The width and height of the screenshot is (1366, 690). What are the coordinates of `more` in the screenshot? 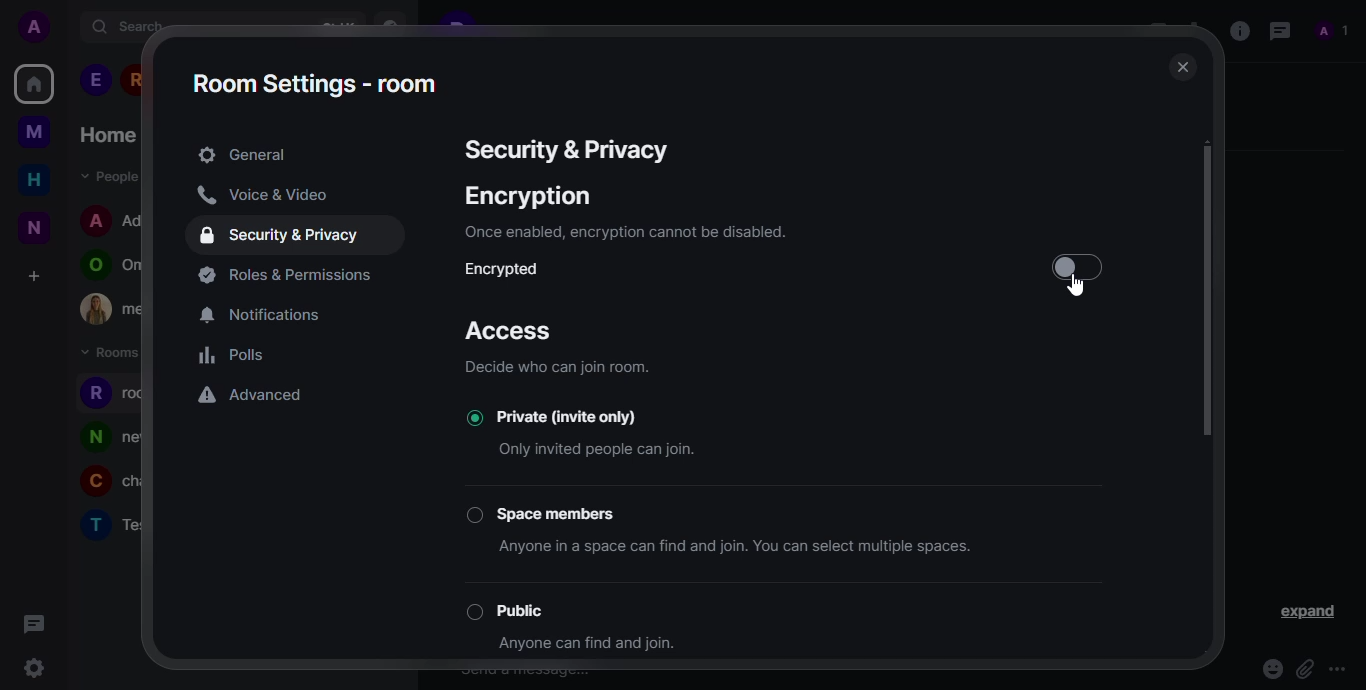 It's located at (1339, 668).